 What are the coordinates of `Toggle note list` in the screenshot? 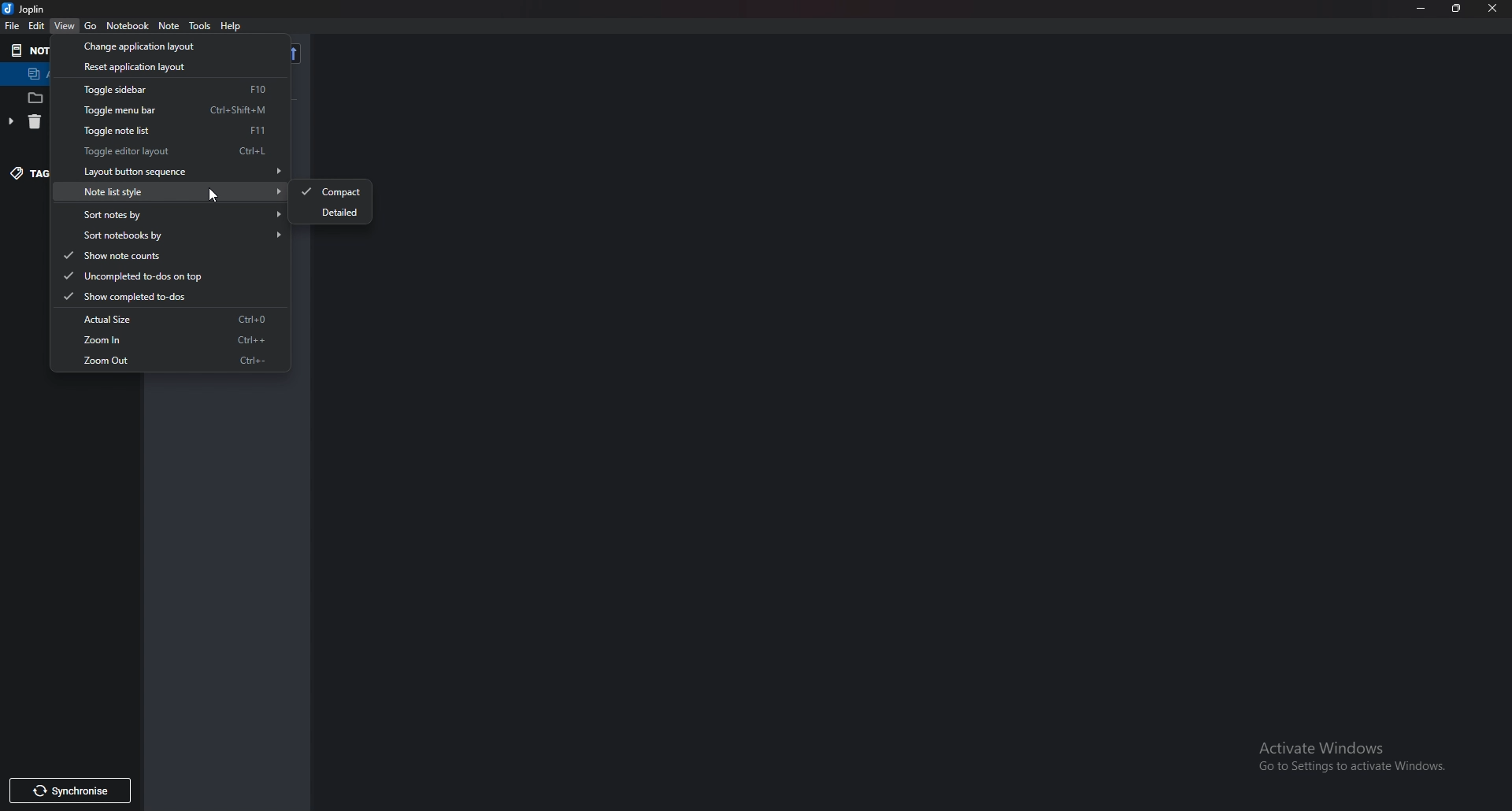 It's located at (178, 131).